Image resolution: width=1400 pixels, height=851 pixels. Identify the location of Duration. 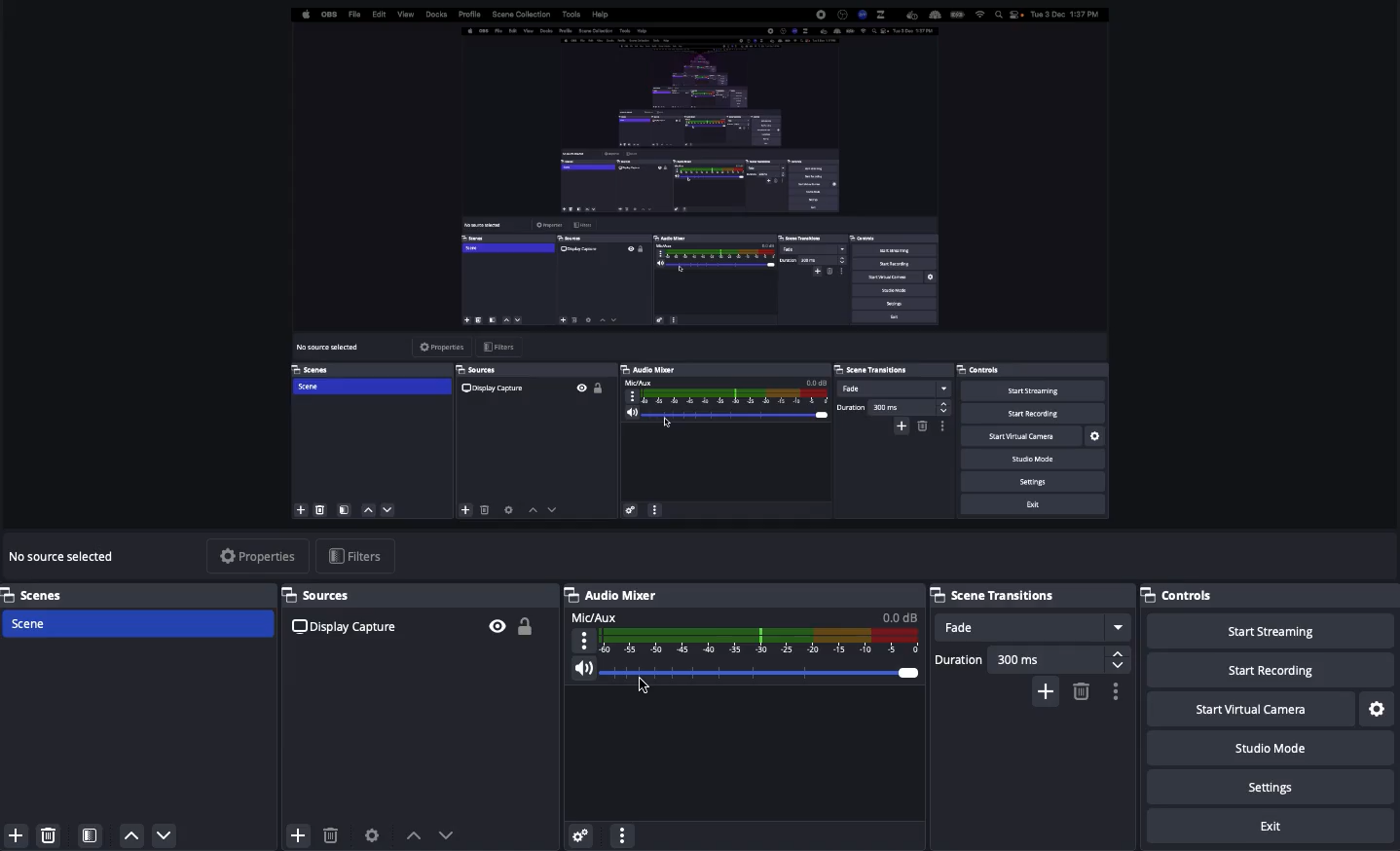
(1027, 656).